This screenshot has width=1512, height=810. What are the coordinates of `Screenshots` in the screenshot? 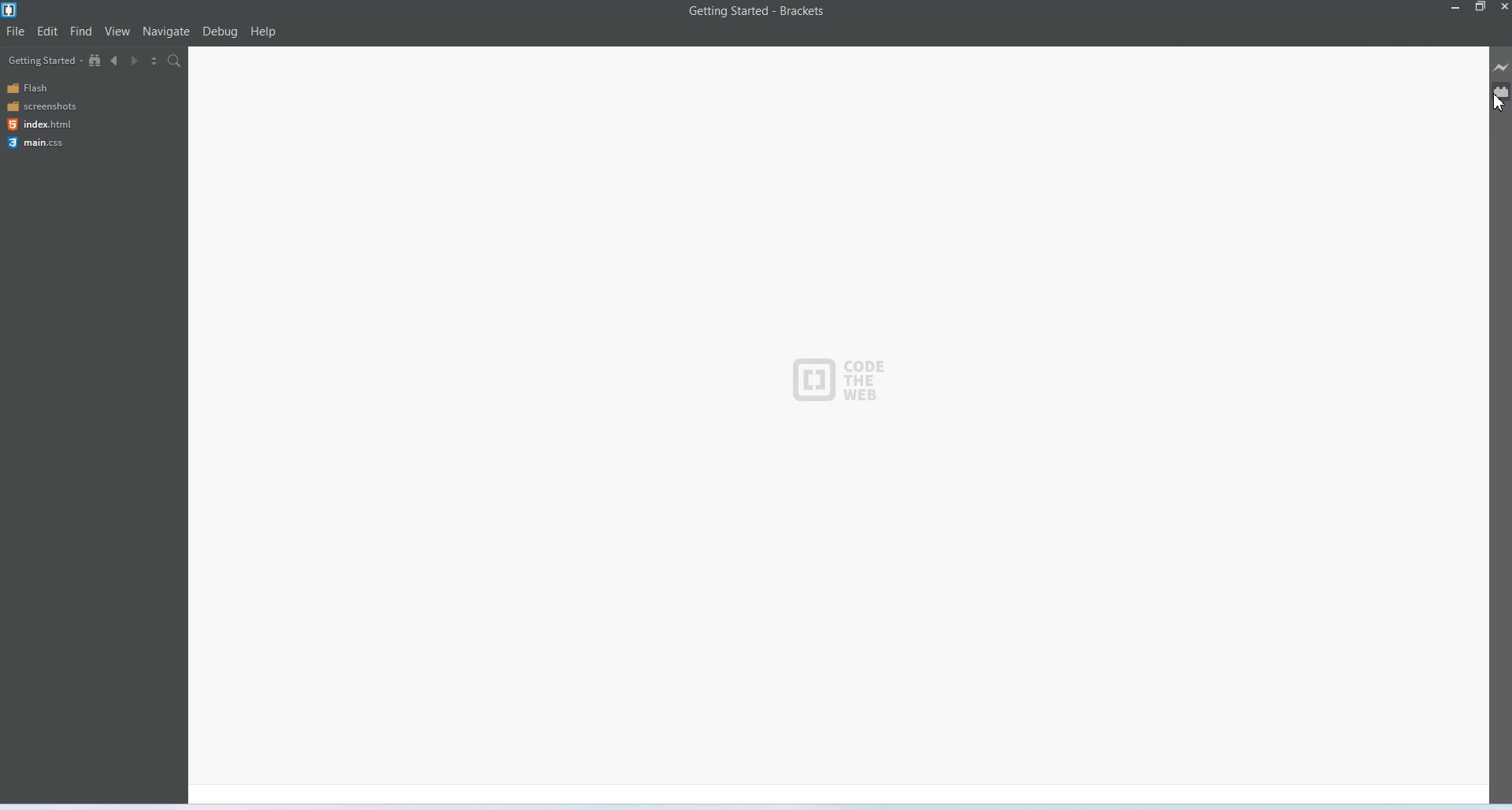 It's located at (53, 107).